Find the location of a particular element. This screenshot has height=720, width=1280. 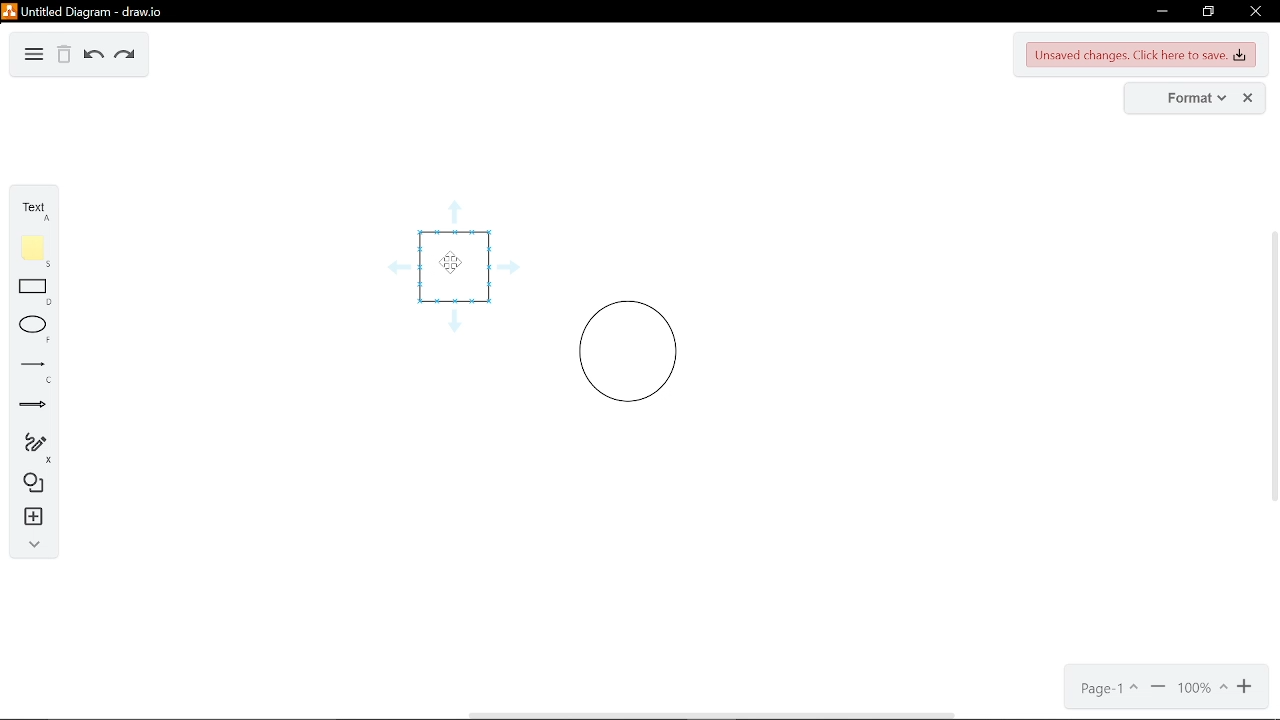

close is located at coordinates (1254, 11).